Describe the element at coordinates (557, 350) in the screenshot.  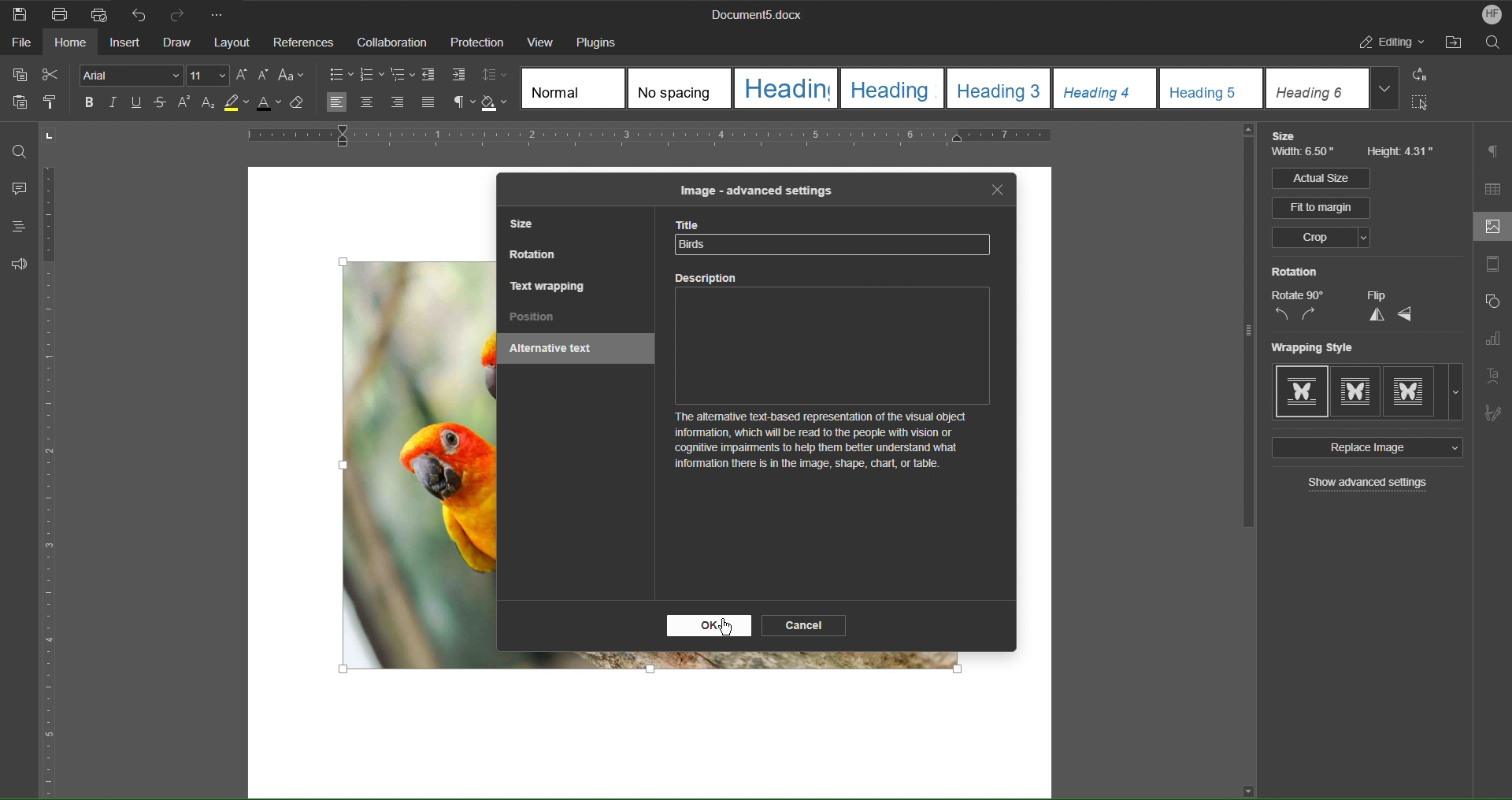
I see `Alternative text` at that location.